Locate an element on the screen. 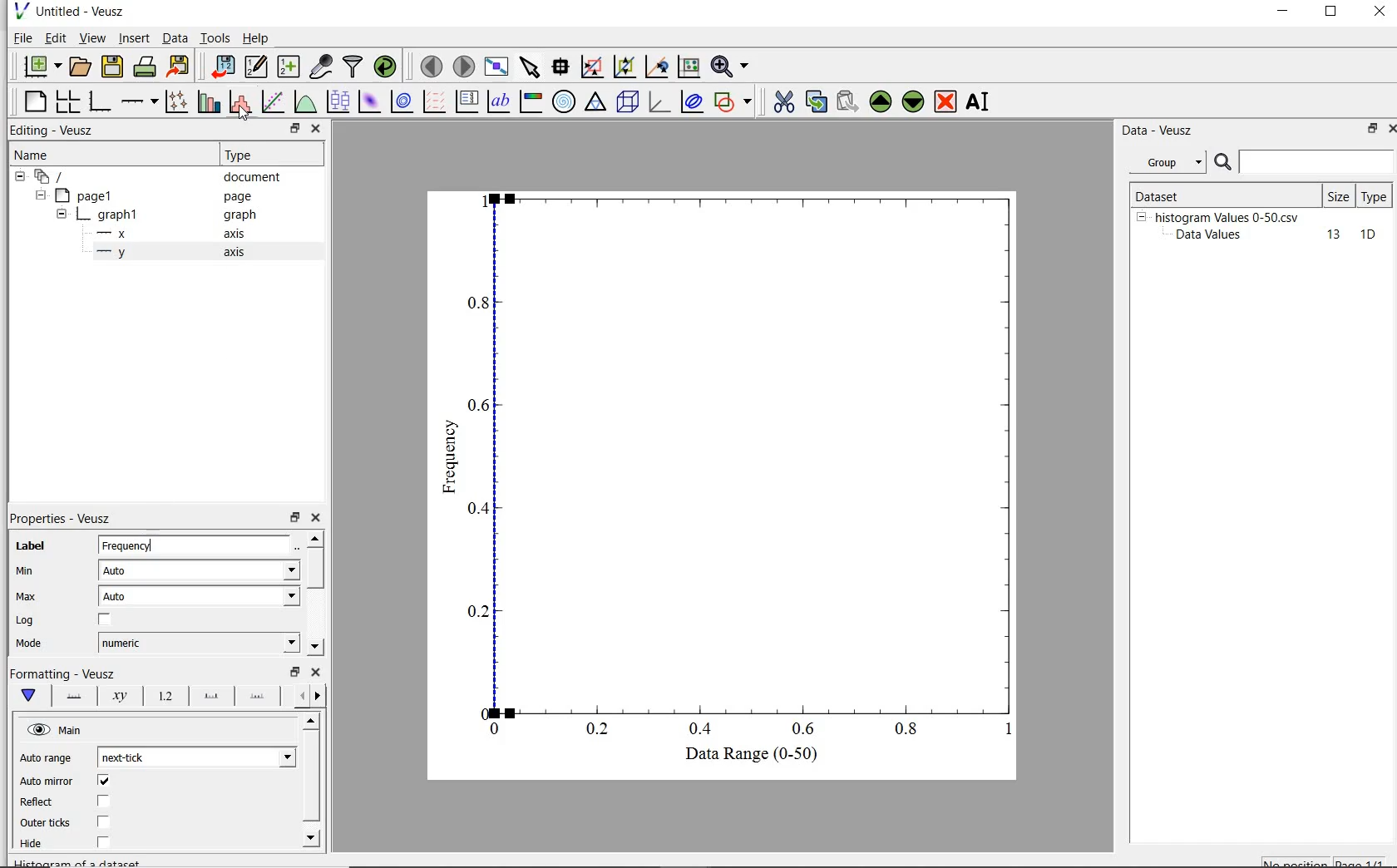 The height and width of the screenshot is (868, 1397). properties-veusz is located at coordinates (61, 519).